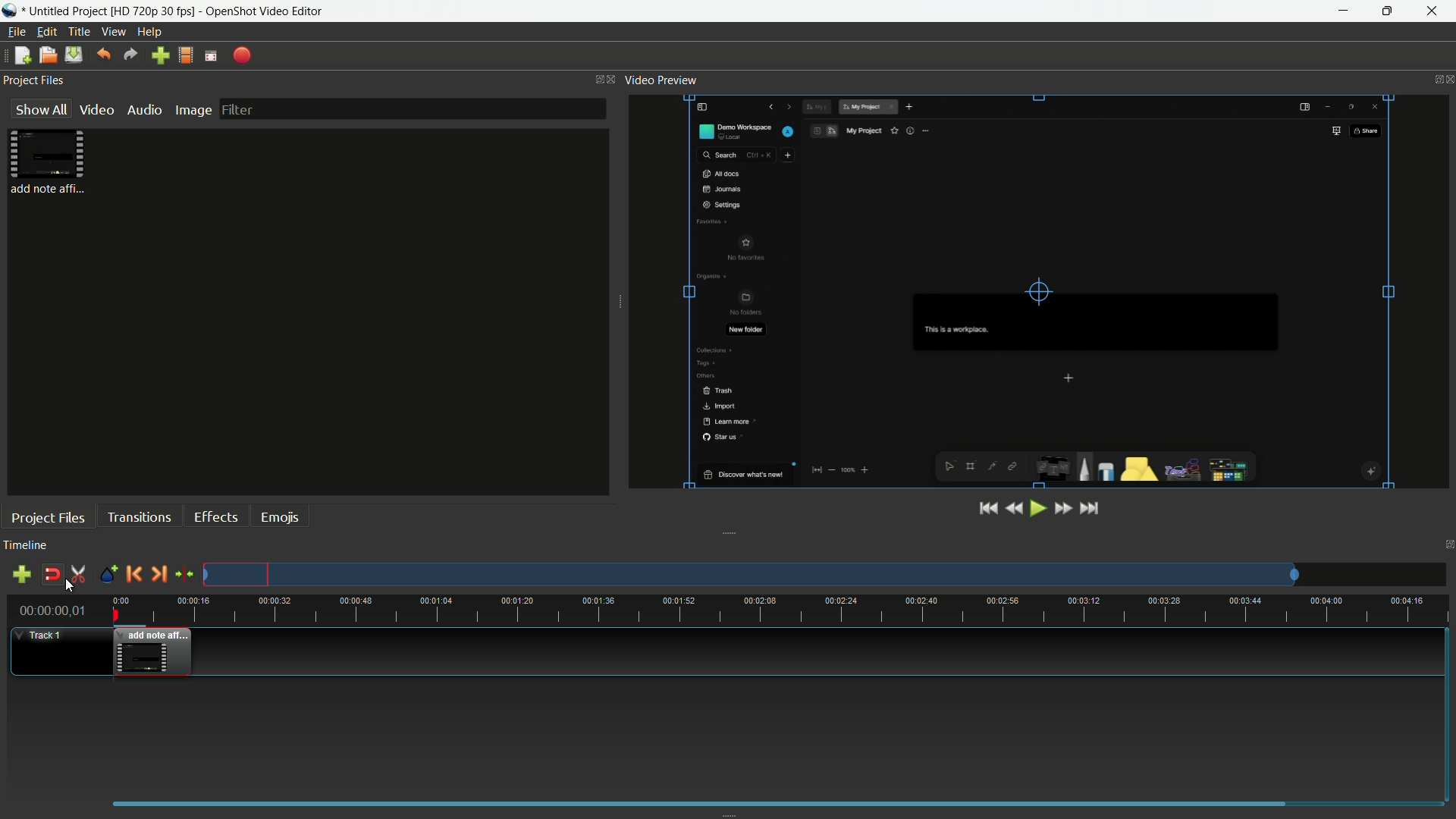 The width and height of the screenshot is (1456, 819). I want to click on cursor, so click(66, 588).